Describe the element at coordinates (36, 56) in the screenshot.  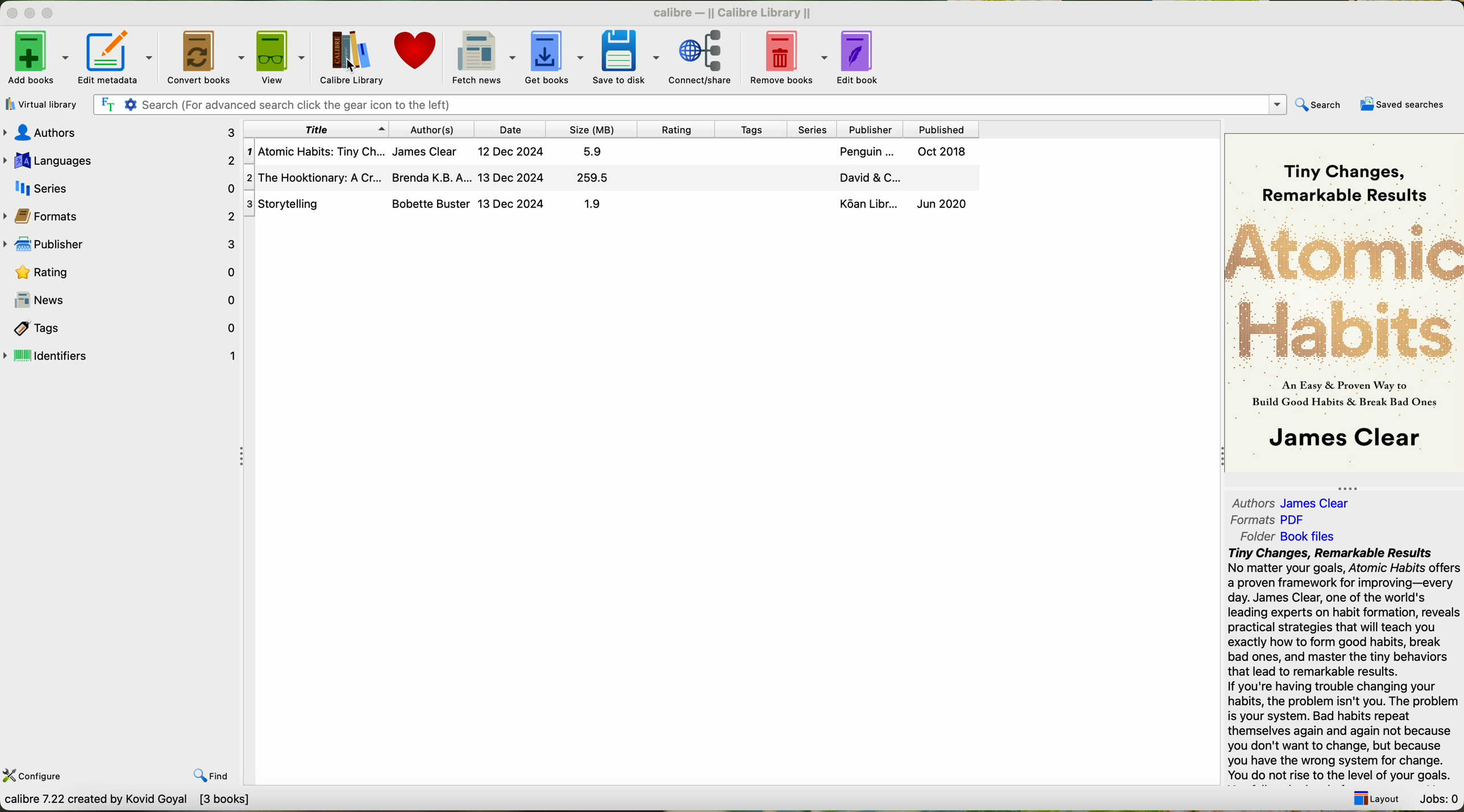
I see `add books` at that location.